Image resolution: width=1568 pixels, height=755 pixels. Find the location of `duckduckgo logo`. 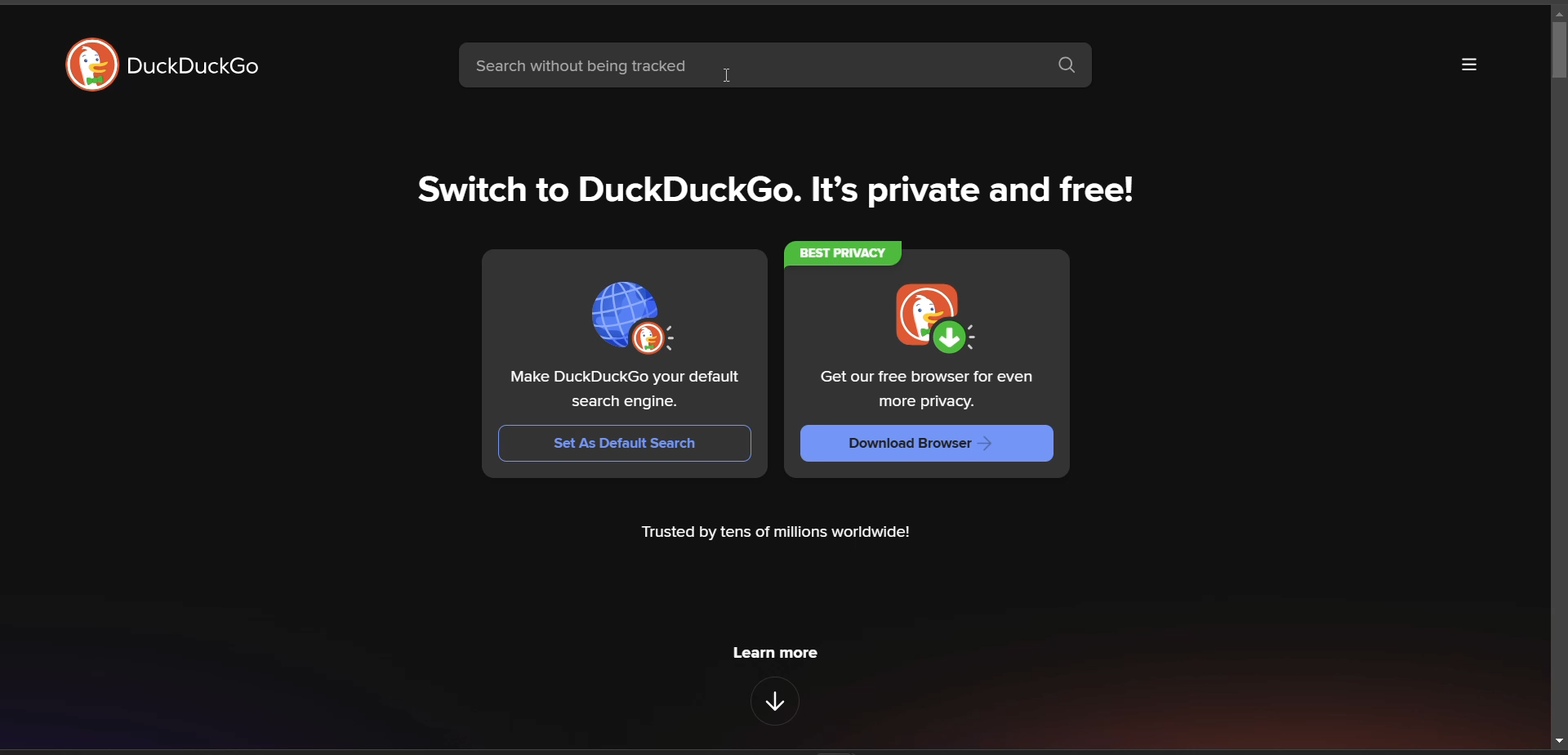

duckduckgo logo is located at coordinates (91, 64).